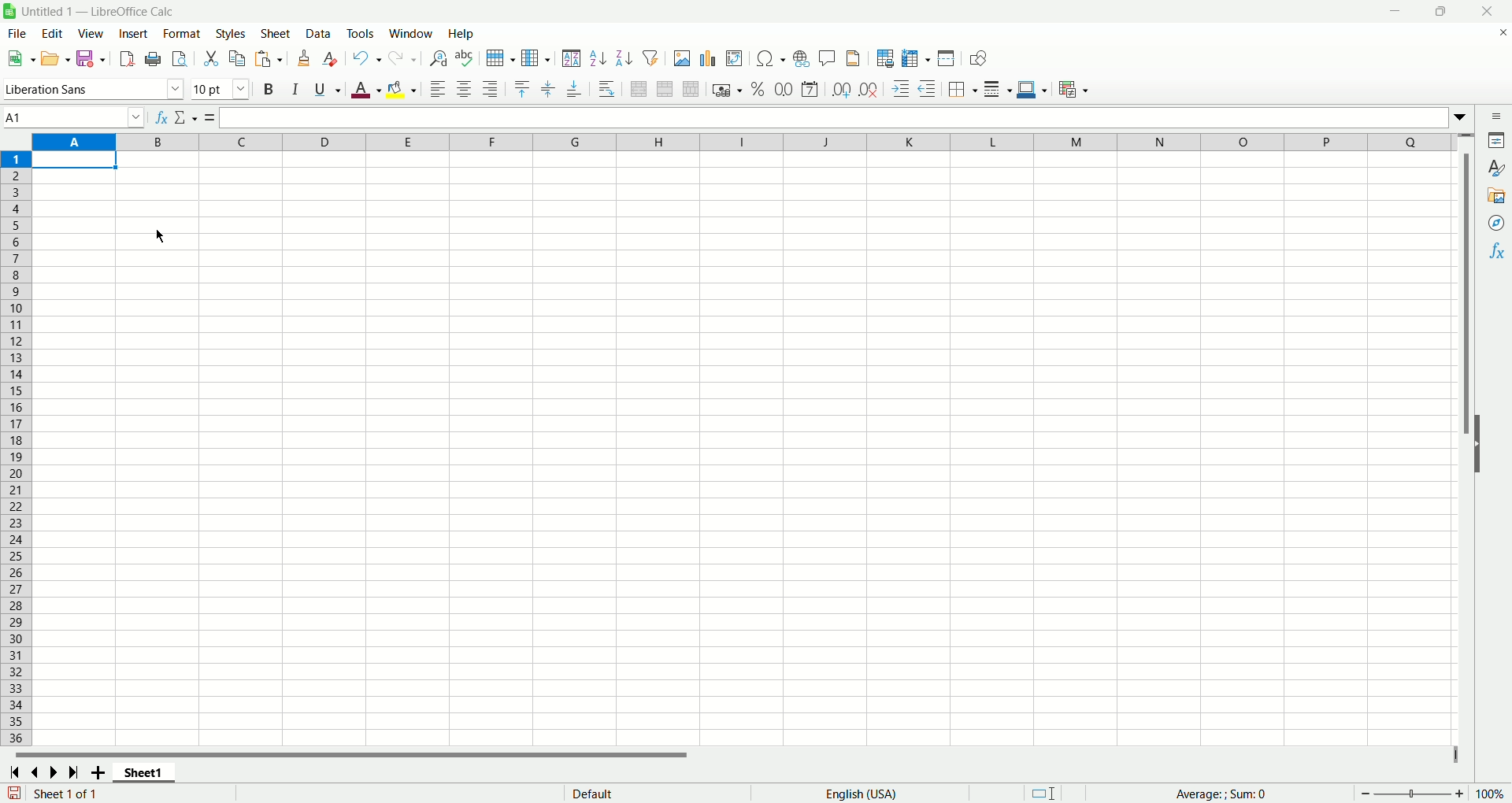 Image resolution: width=1512 pixels, height=803 pixels. I want to click on formula bar, so click(835, 119).